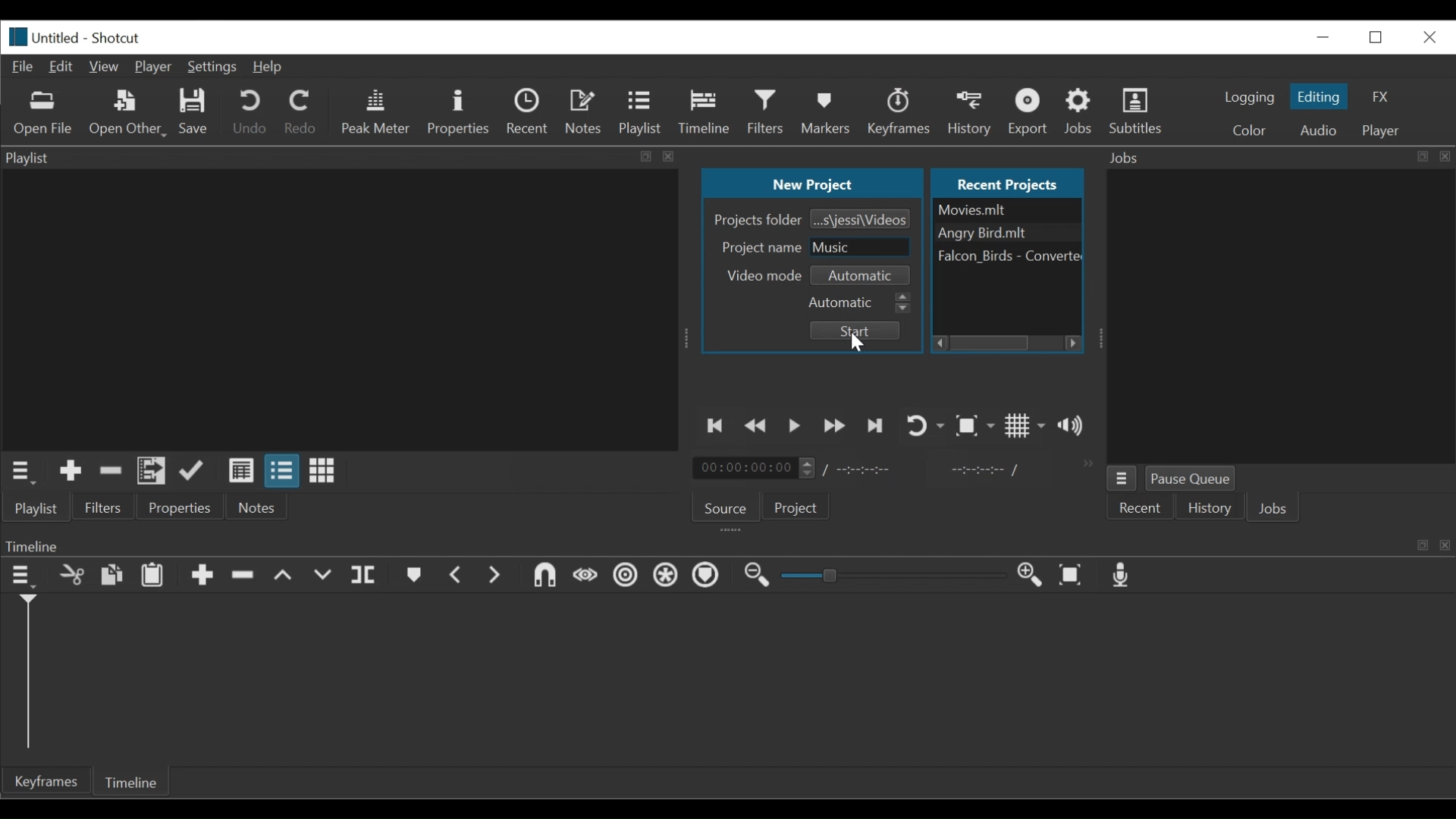 Image resolution: width=1456 pixels, height=819 pixels. What do you see at coordinates (153, 67) in the screenshot?
I see `Player` at bounding box center [153, 67].